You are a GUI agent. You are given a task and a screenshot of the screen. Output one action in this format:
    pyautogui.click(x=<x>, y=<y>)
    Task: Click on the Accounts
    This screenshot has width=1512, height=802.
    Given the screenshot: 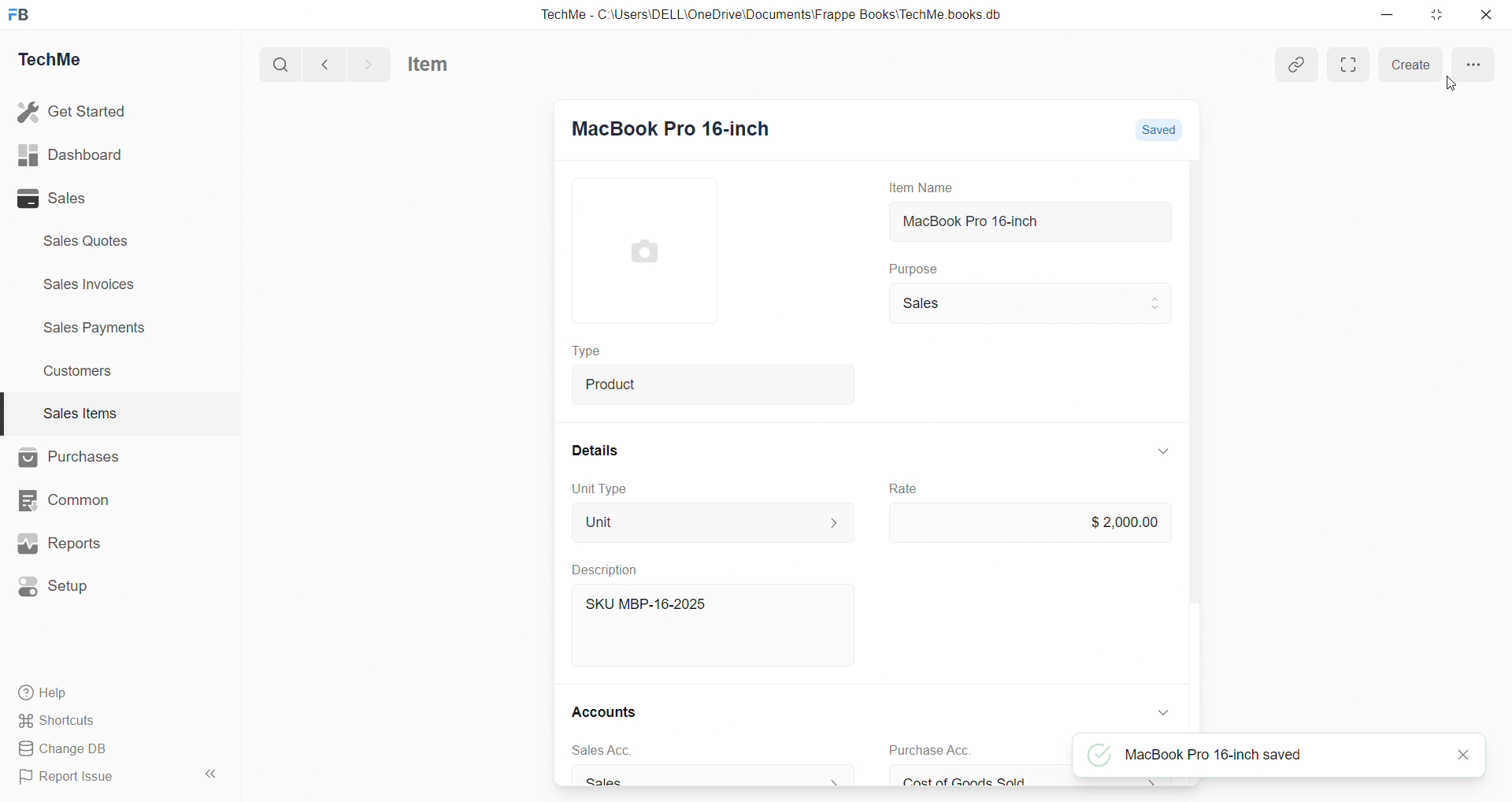 What is the action you would take?
    pyautogui.click(x=603, y=711)
    